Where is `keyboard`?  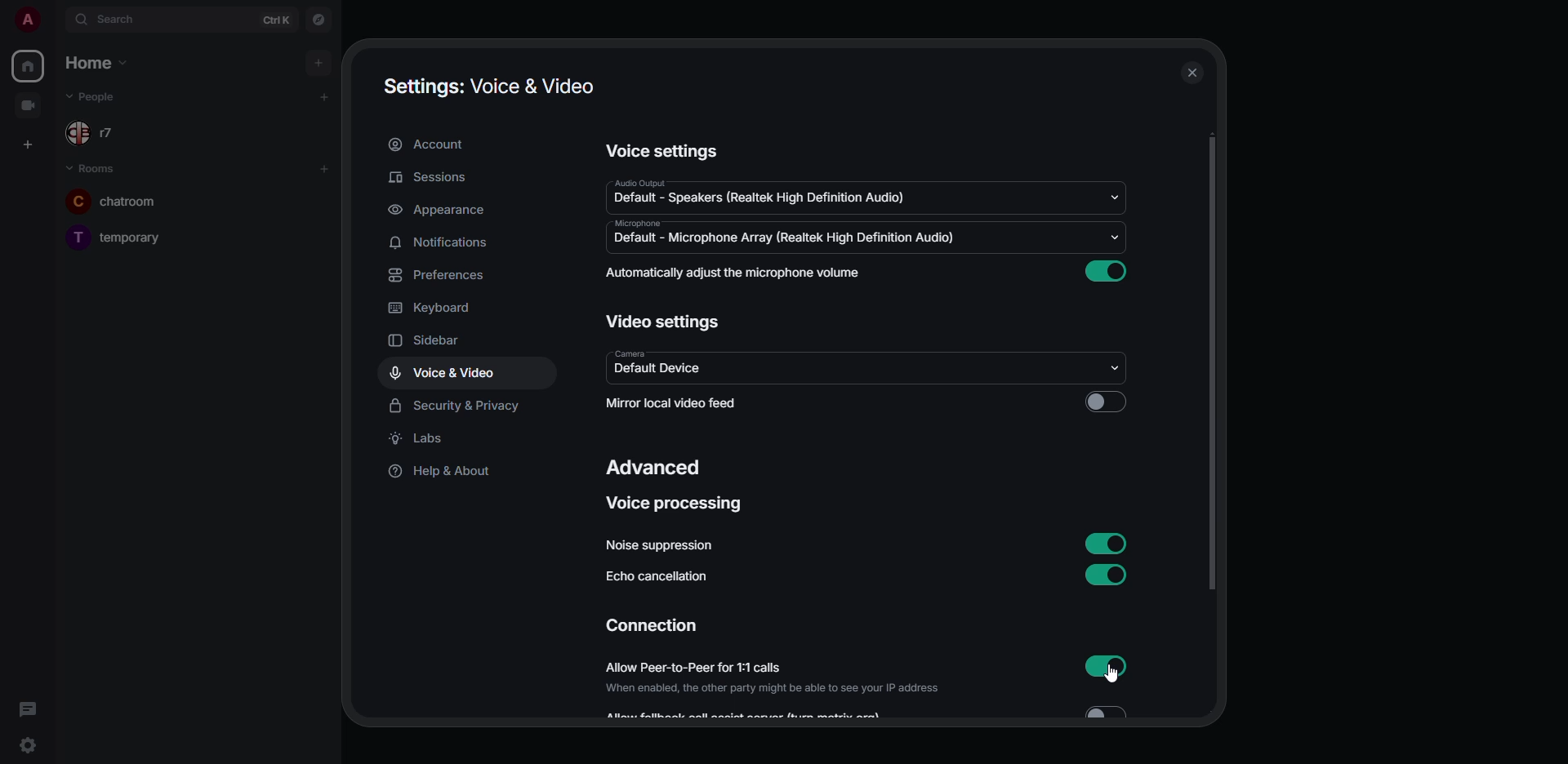
keyboard is located at coordinates (433, 308).